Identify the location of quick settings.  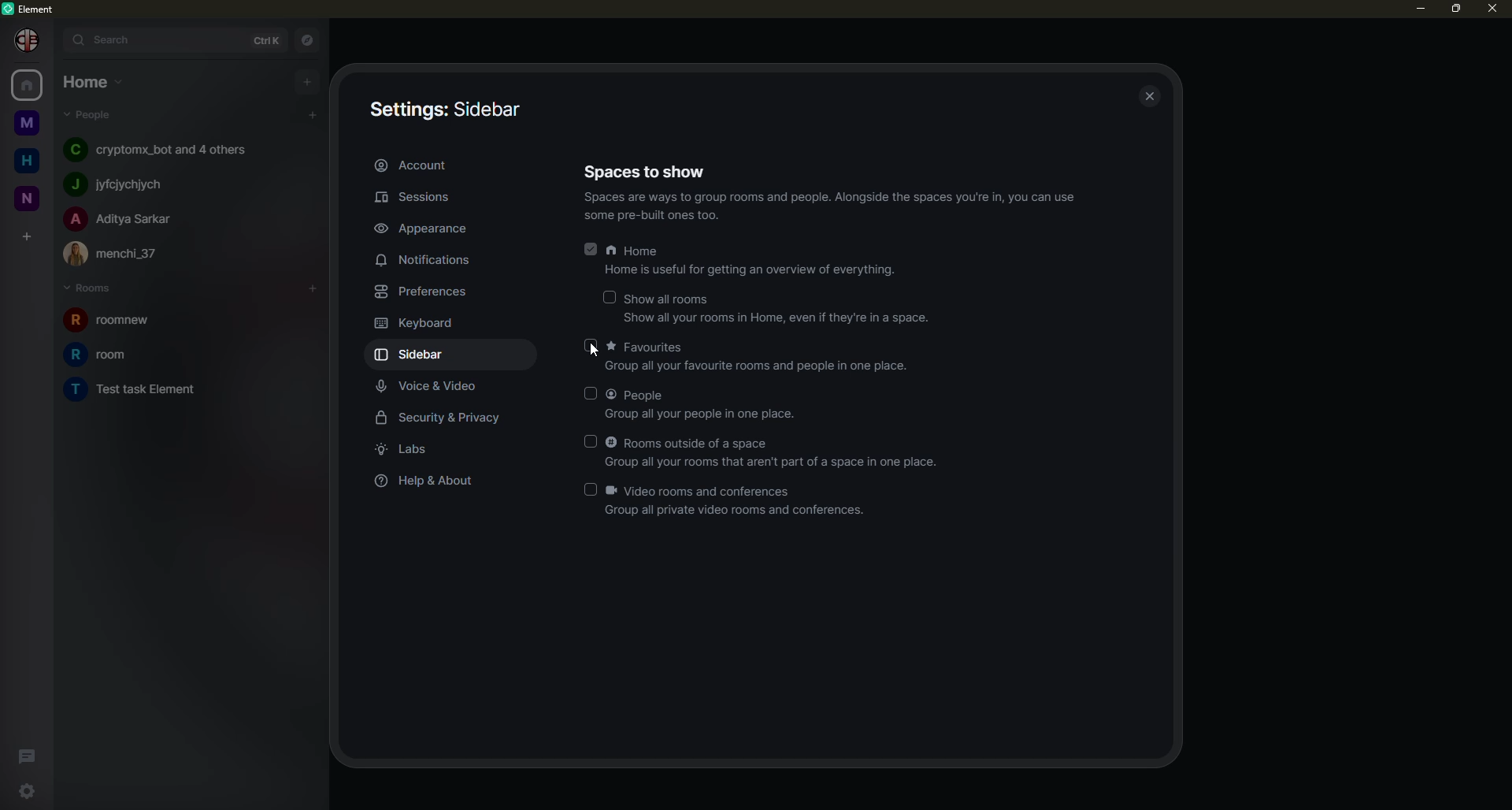
(29, 790).